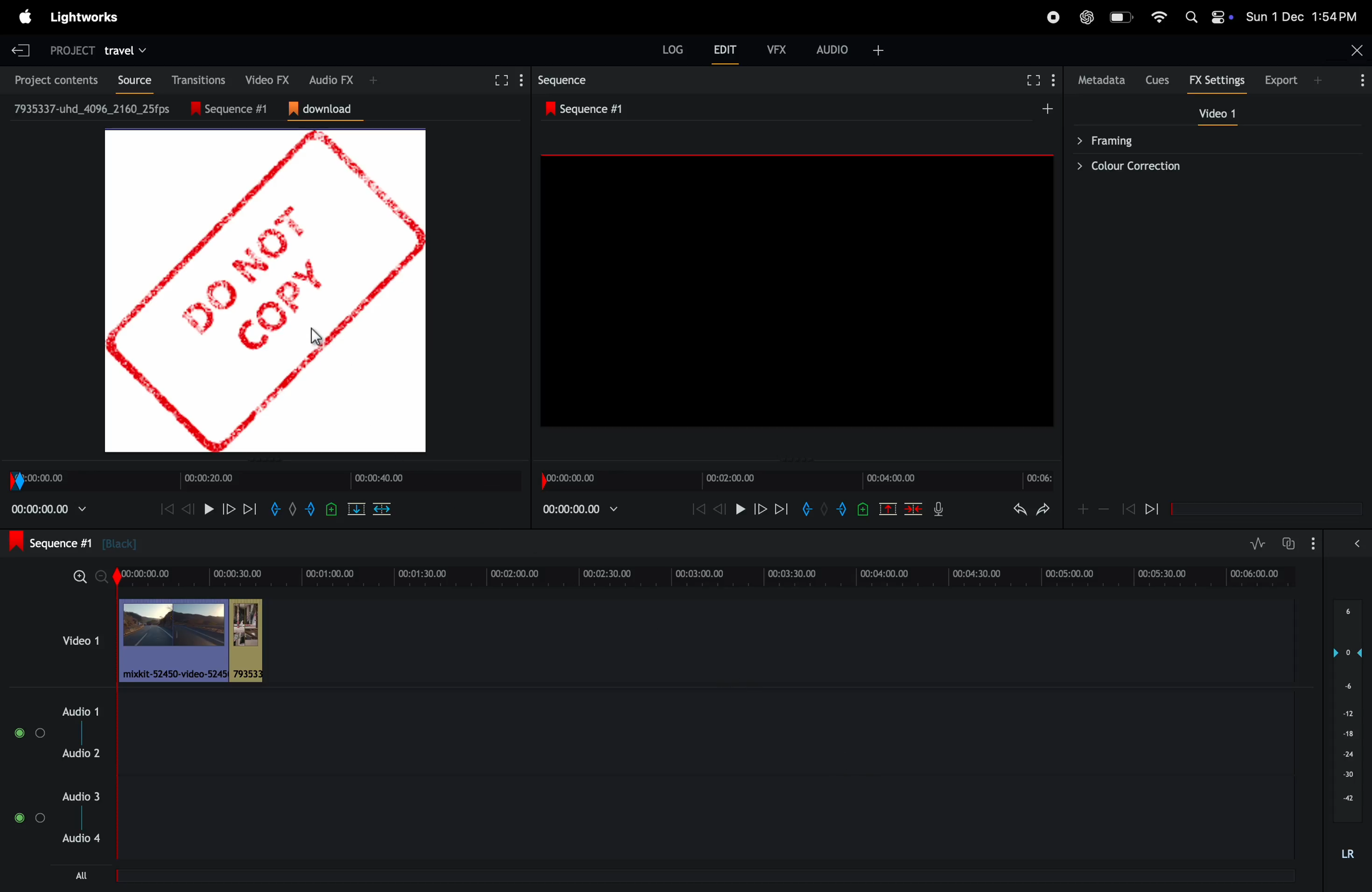 Image resolution: width=1372 pixels, height=892 pixels. What do you see at coordinates (740, 508) in the screenshot?
I see `pause play` at bounding box center [740, 508].